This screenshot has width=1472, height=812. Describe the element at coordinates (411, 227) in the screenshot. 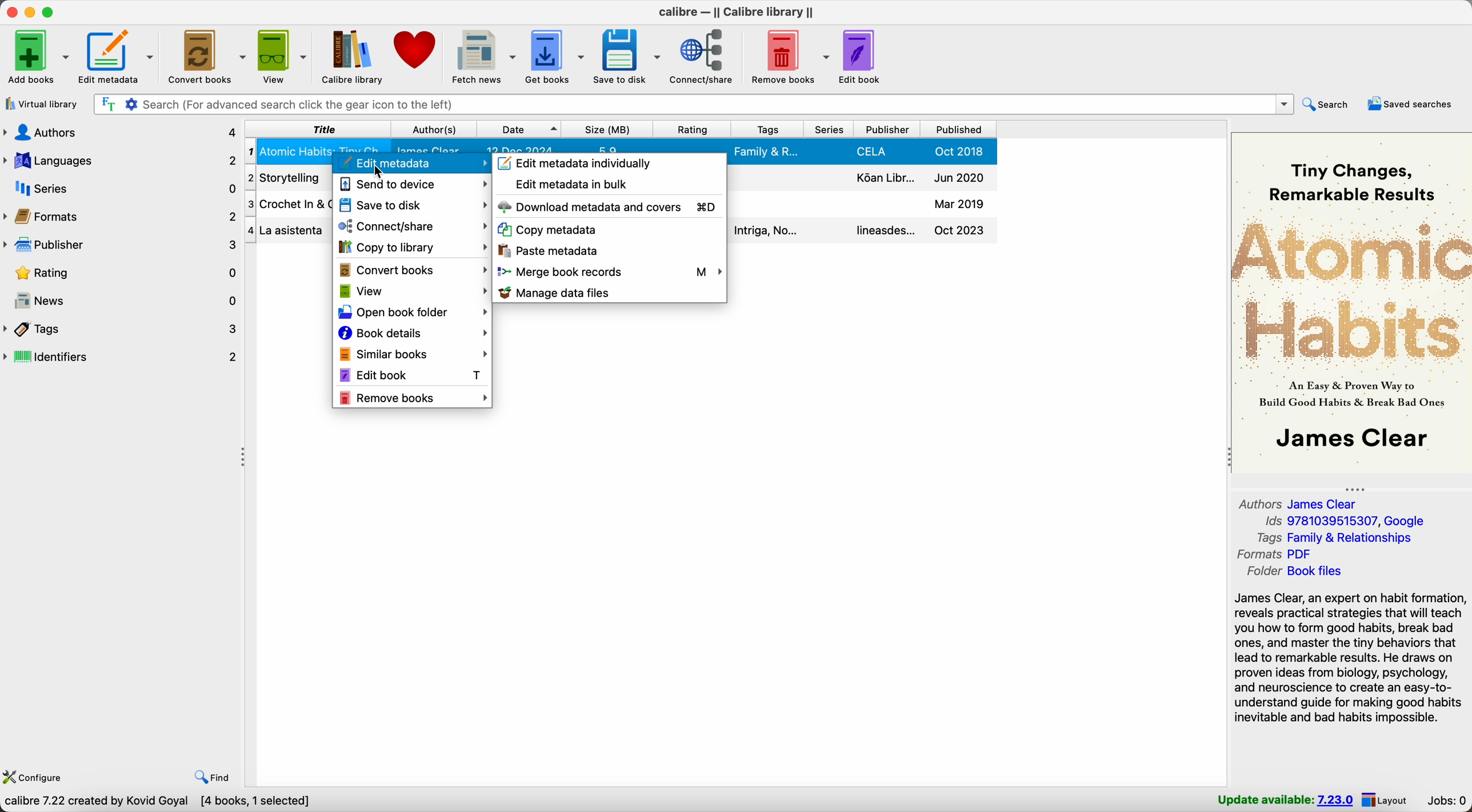

I see `connect/share` at that location.